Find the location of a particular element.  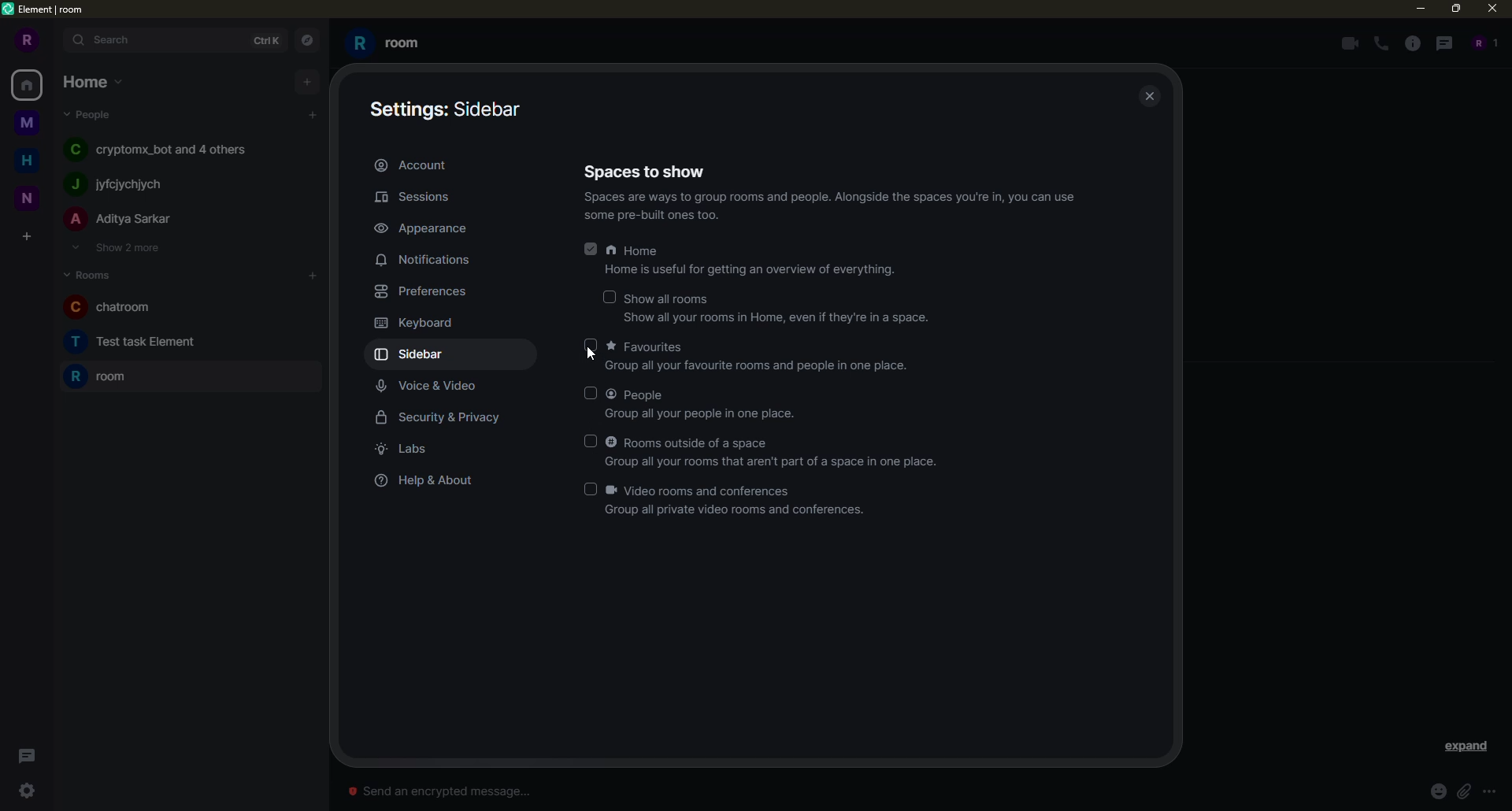

threads is located at coordinates (25, 753).